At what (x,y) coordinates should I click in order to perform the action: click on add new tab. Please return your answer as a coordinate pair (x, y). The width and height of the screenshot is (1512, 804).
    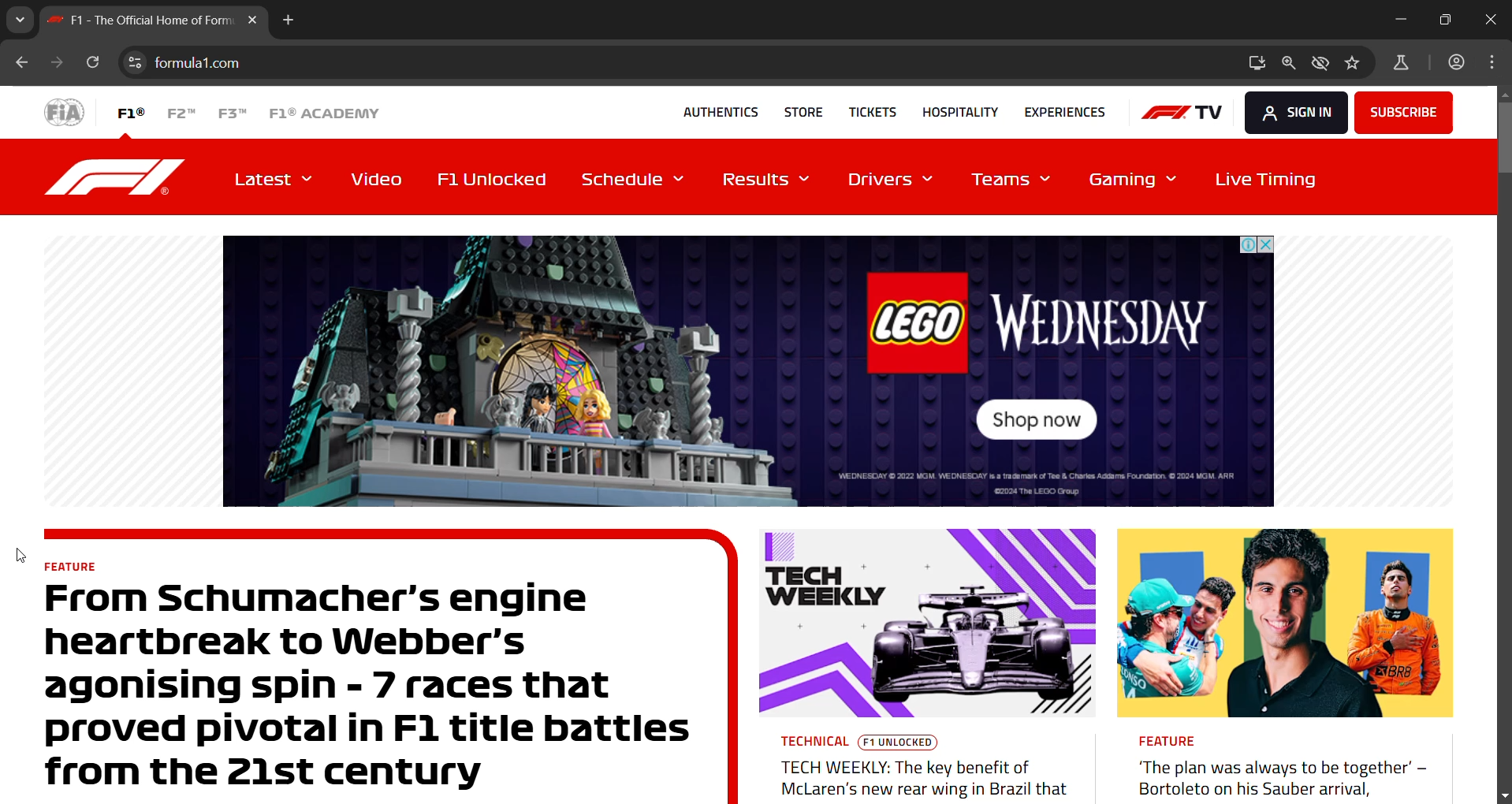
    Looking at the image, I should click on (289, 24).